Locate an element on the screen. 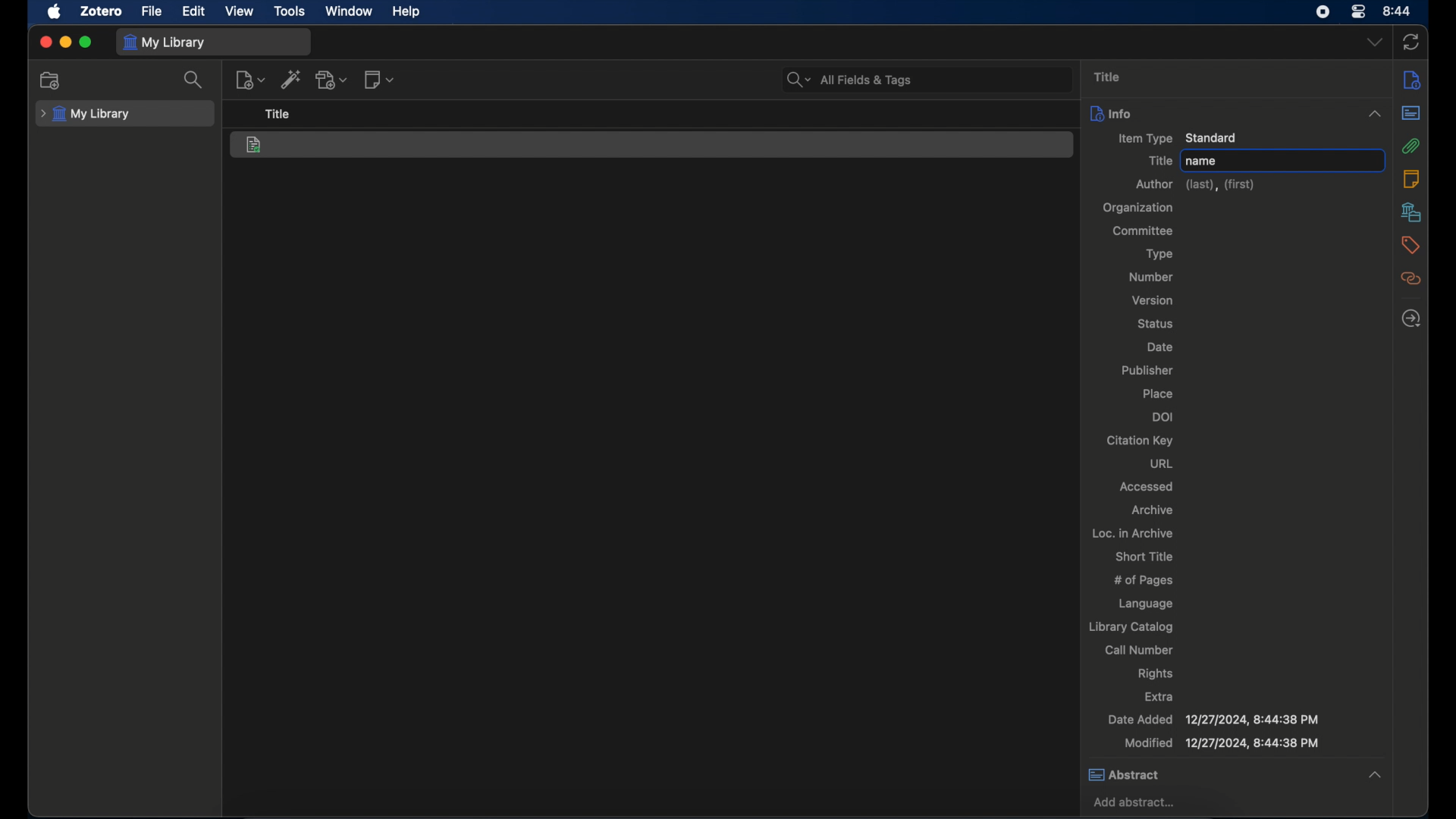  item type is located at coordinates (1177, 137).